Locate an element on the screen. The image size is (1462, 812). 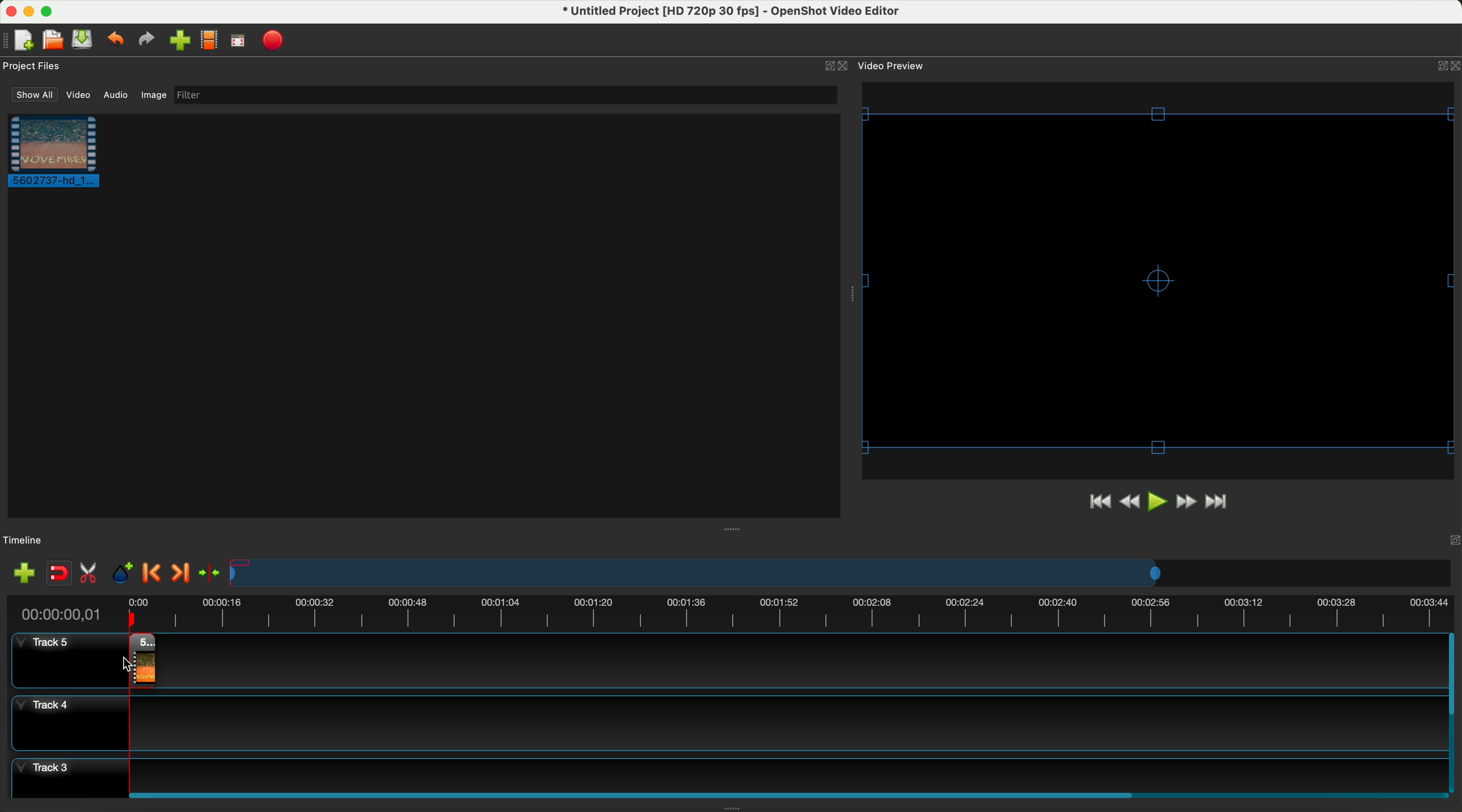
add marker is located at coordinates (123, 574).